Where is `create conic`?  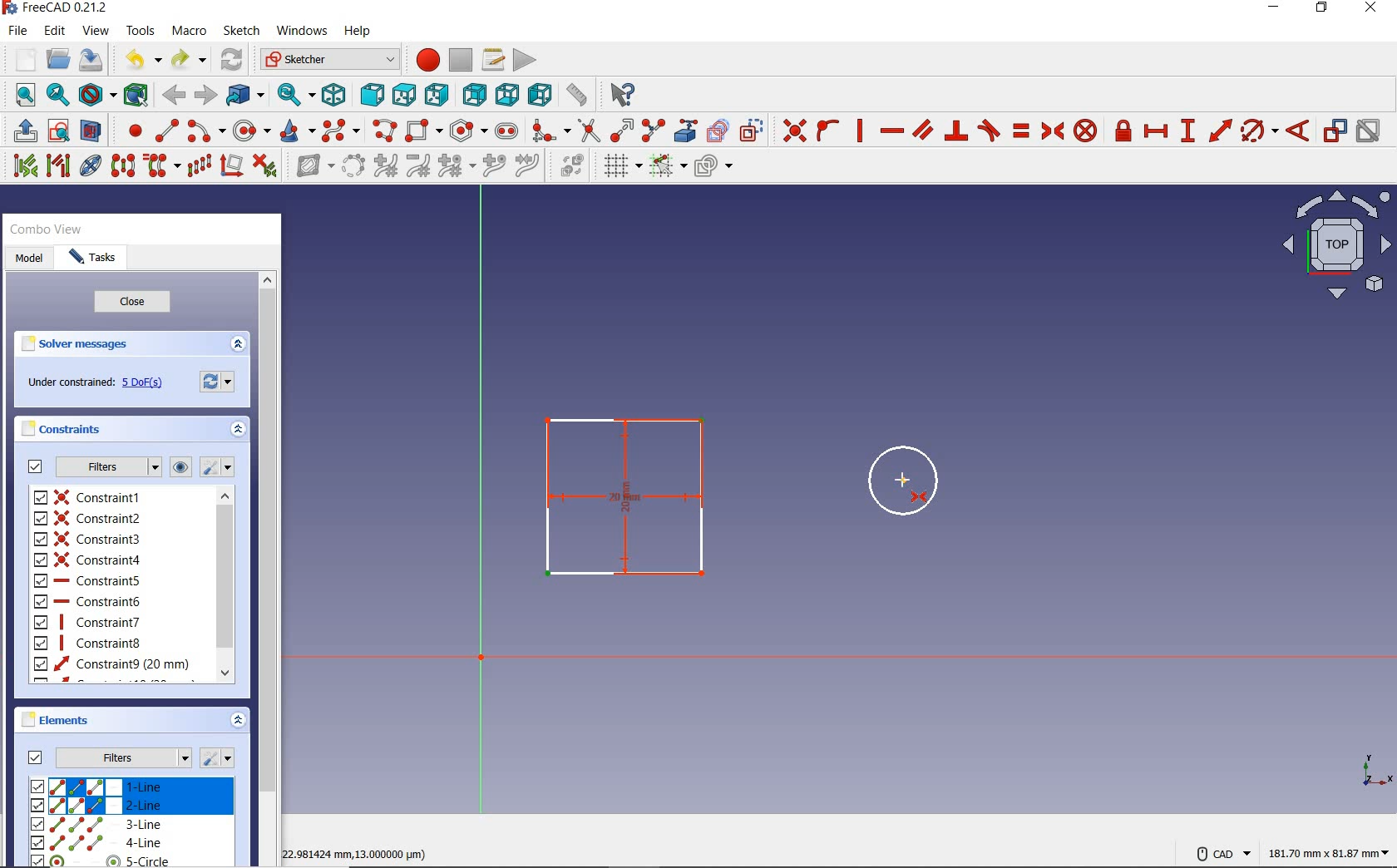 create conic is located at coordinates (298, 131).